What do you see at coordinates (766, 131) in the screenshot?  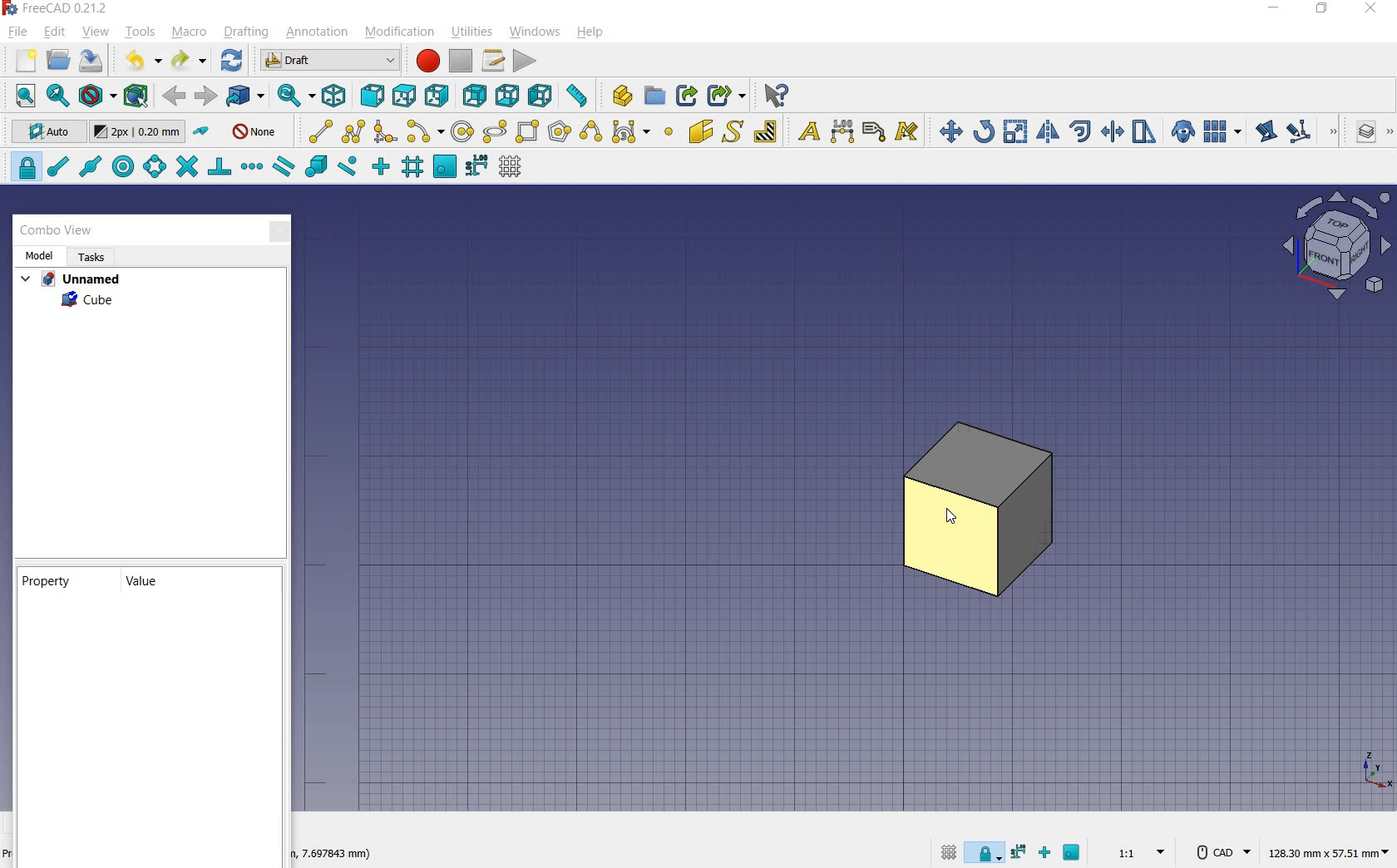 I see `hatch` at bounding box center [766, 131].